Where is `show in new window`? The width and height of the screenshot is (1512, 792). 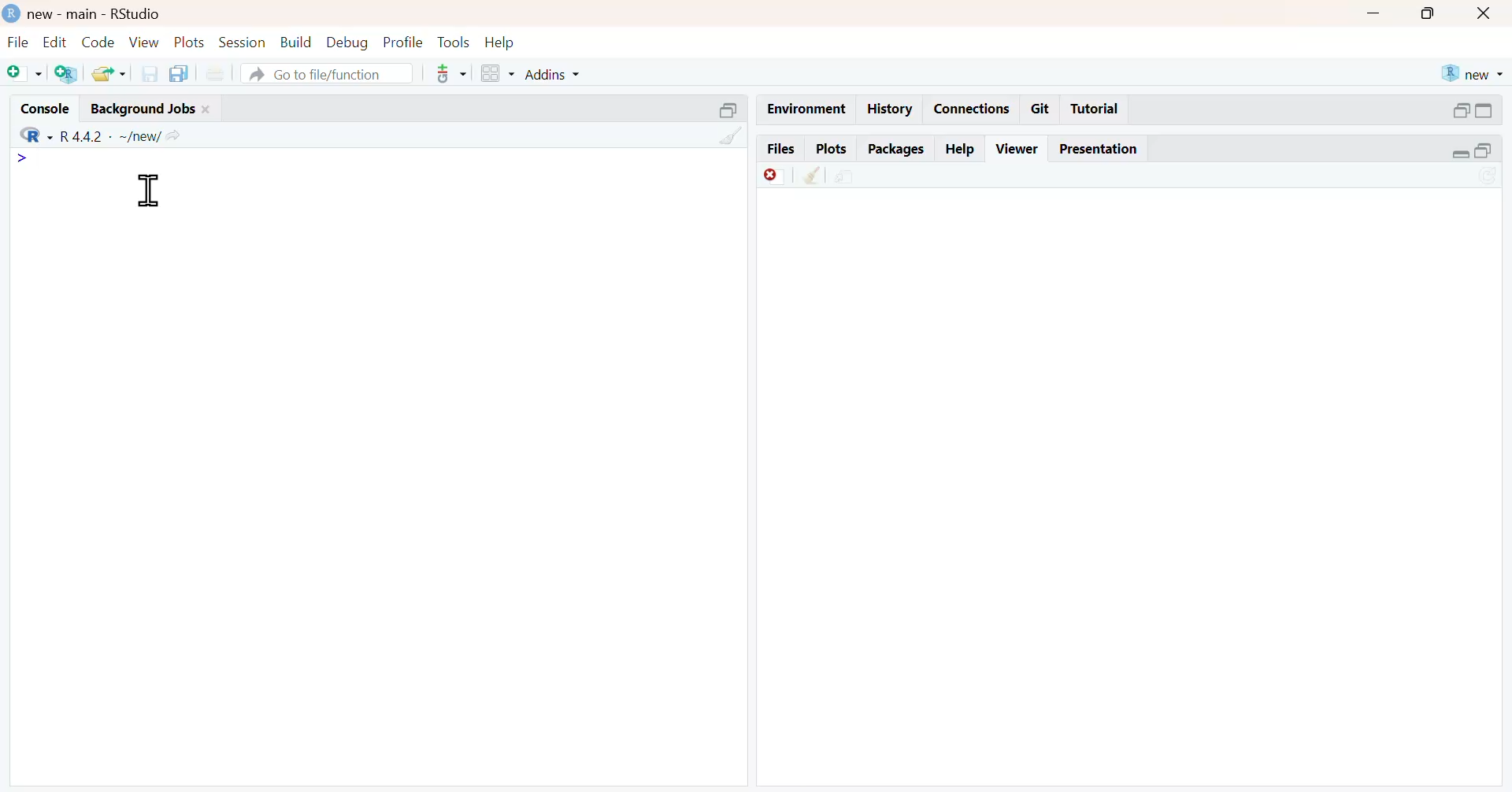 show in new window is located at coordinates (847, 176).